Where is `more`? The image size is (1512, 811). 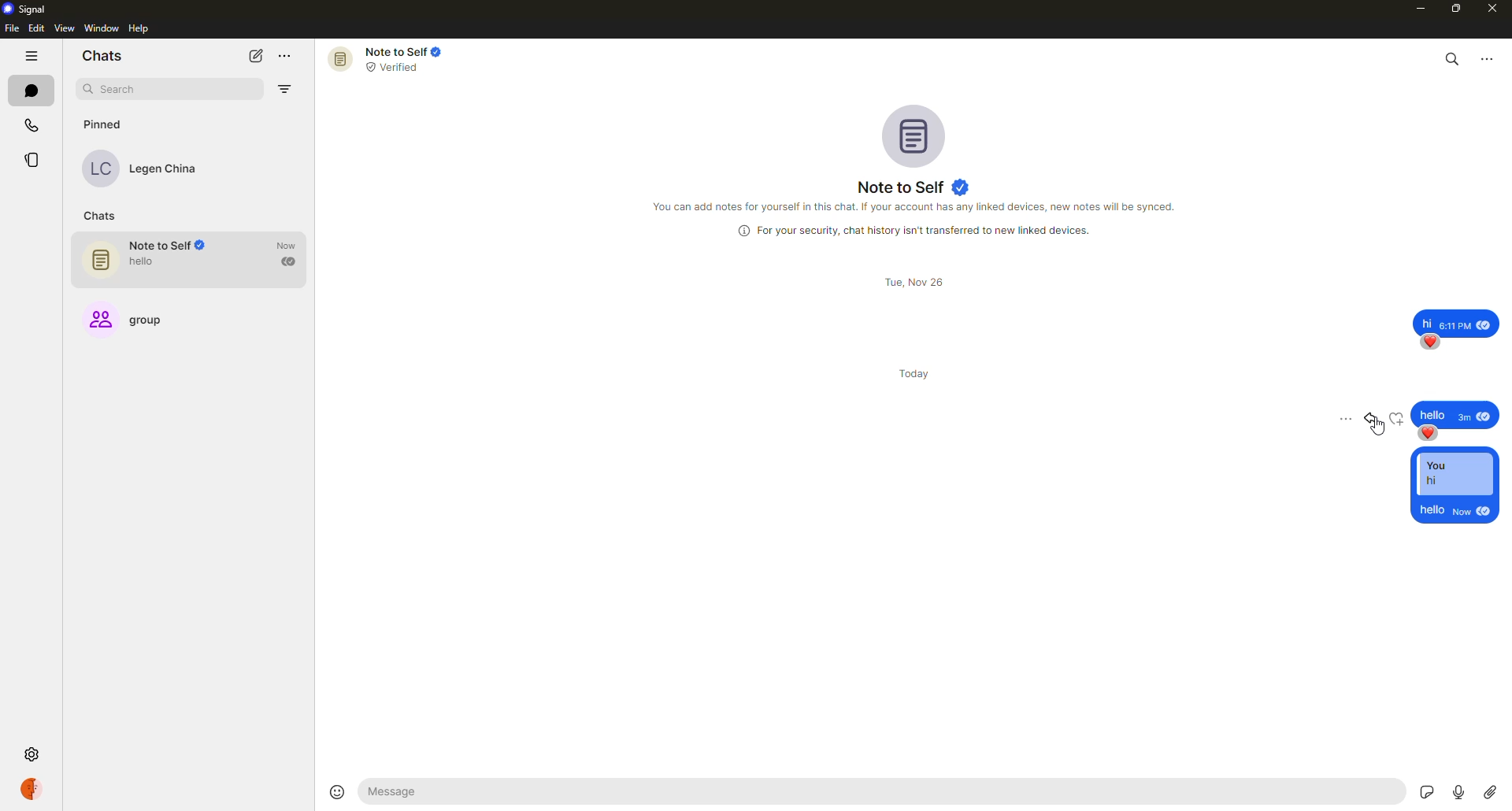
more is located at coordinates (289, 55).